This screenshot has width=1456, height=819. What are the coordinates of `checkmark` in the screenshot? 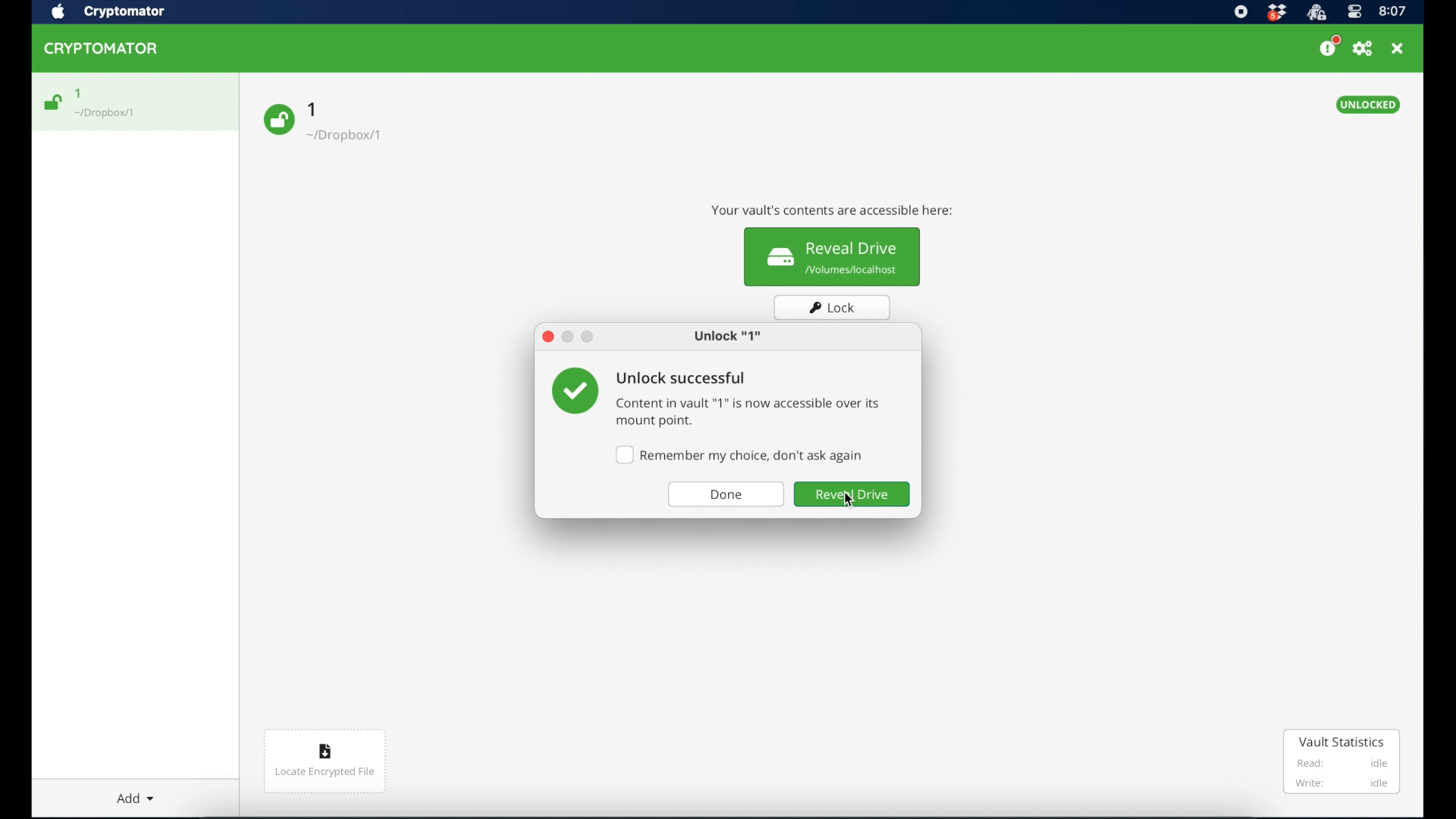 It's located at (574, 391).